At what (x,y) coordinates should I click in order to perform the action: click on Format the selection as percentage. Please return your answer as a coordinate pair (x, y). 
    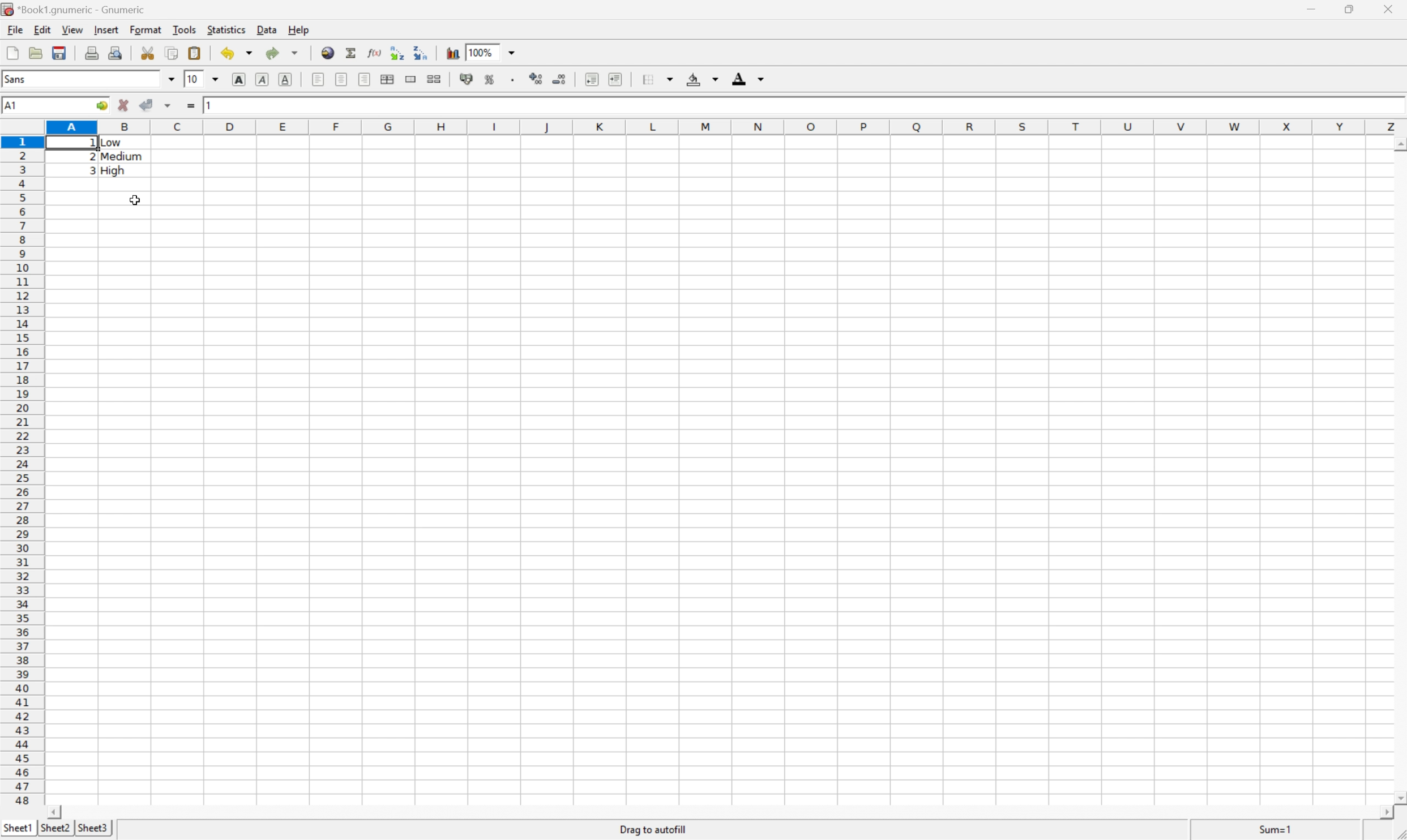
    Looking at the image, I should click on (488, 80).